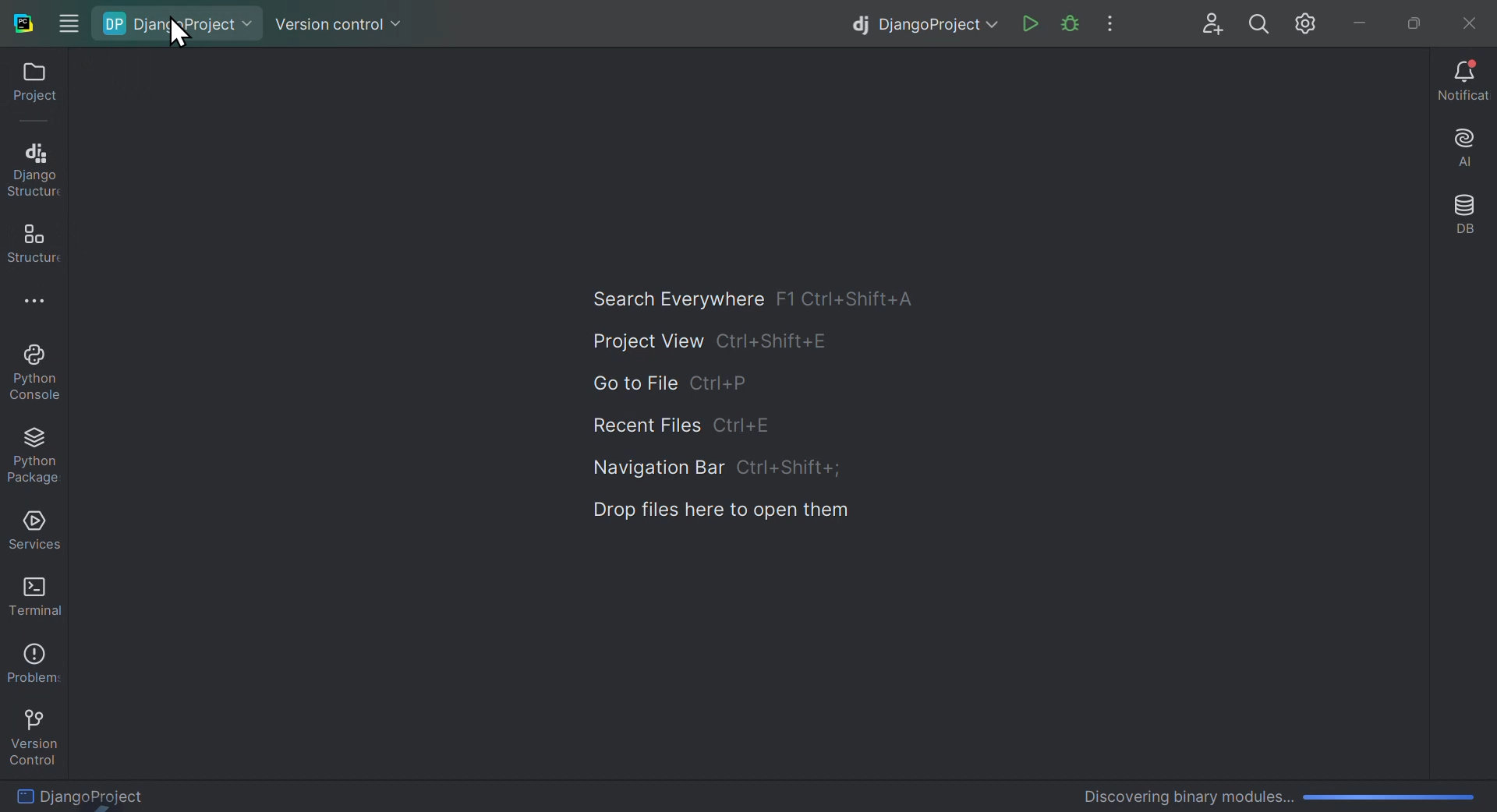  I want to click on Drop files here to open them, so click(717, 507).